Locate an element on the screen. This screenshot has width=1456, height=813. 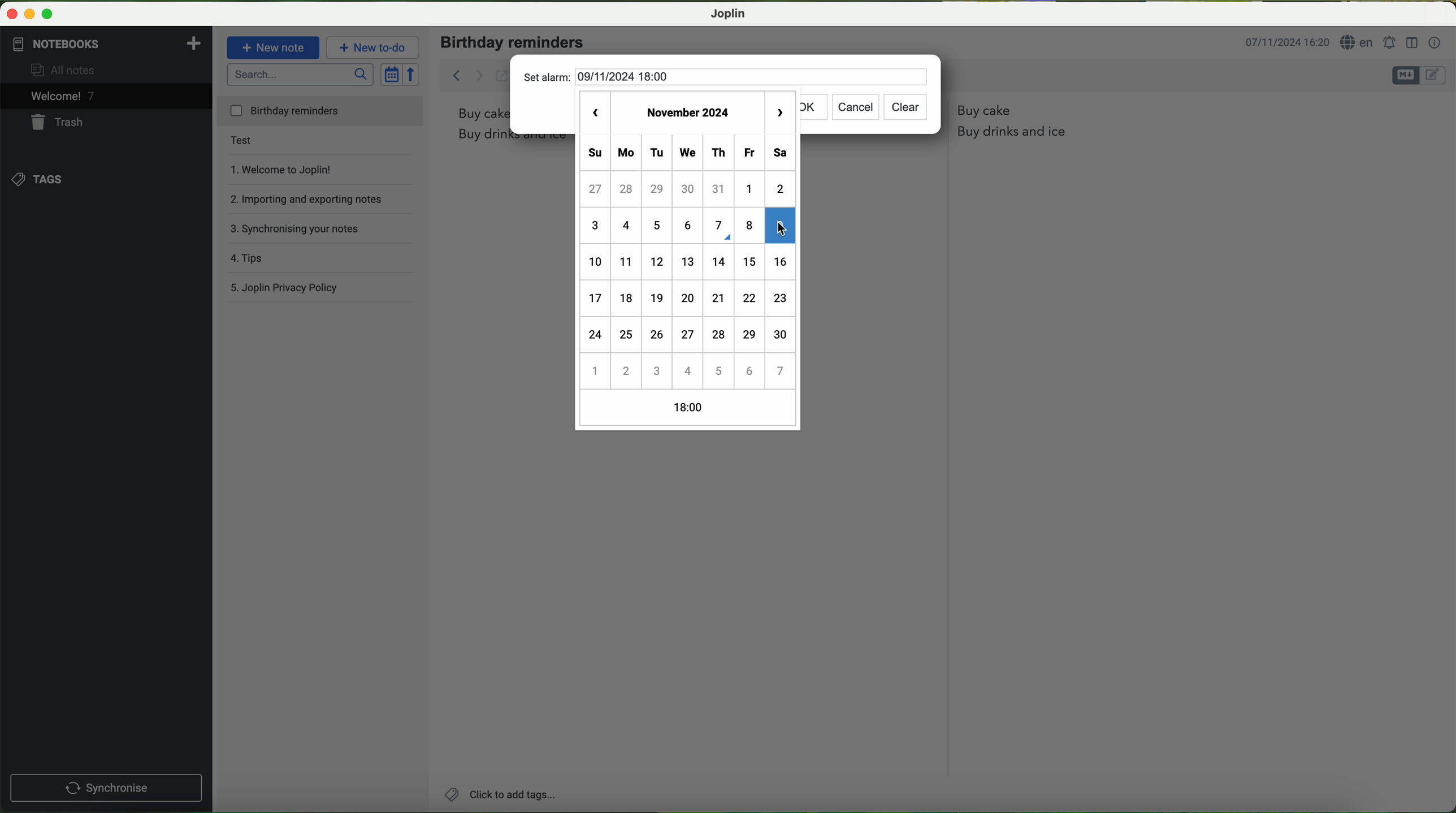
note properties is located at coordinates (1436, 43).